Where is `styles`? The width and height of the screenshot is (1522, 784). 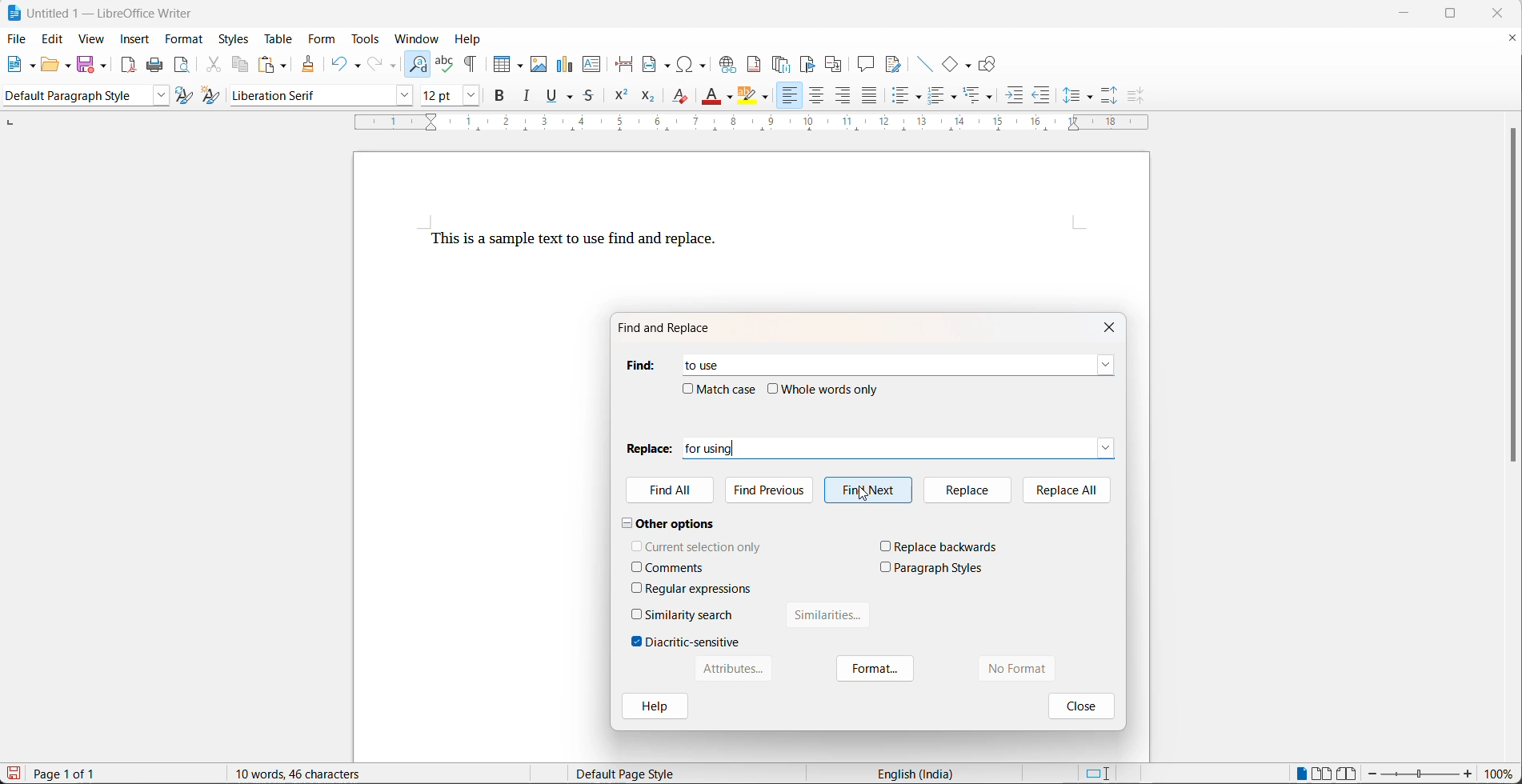 styles is located at coordinates (234, 38).